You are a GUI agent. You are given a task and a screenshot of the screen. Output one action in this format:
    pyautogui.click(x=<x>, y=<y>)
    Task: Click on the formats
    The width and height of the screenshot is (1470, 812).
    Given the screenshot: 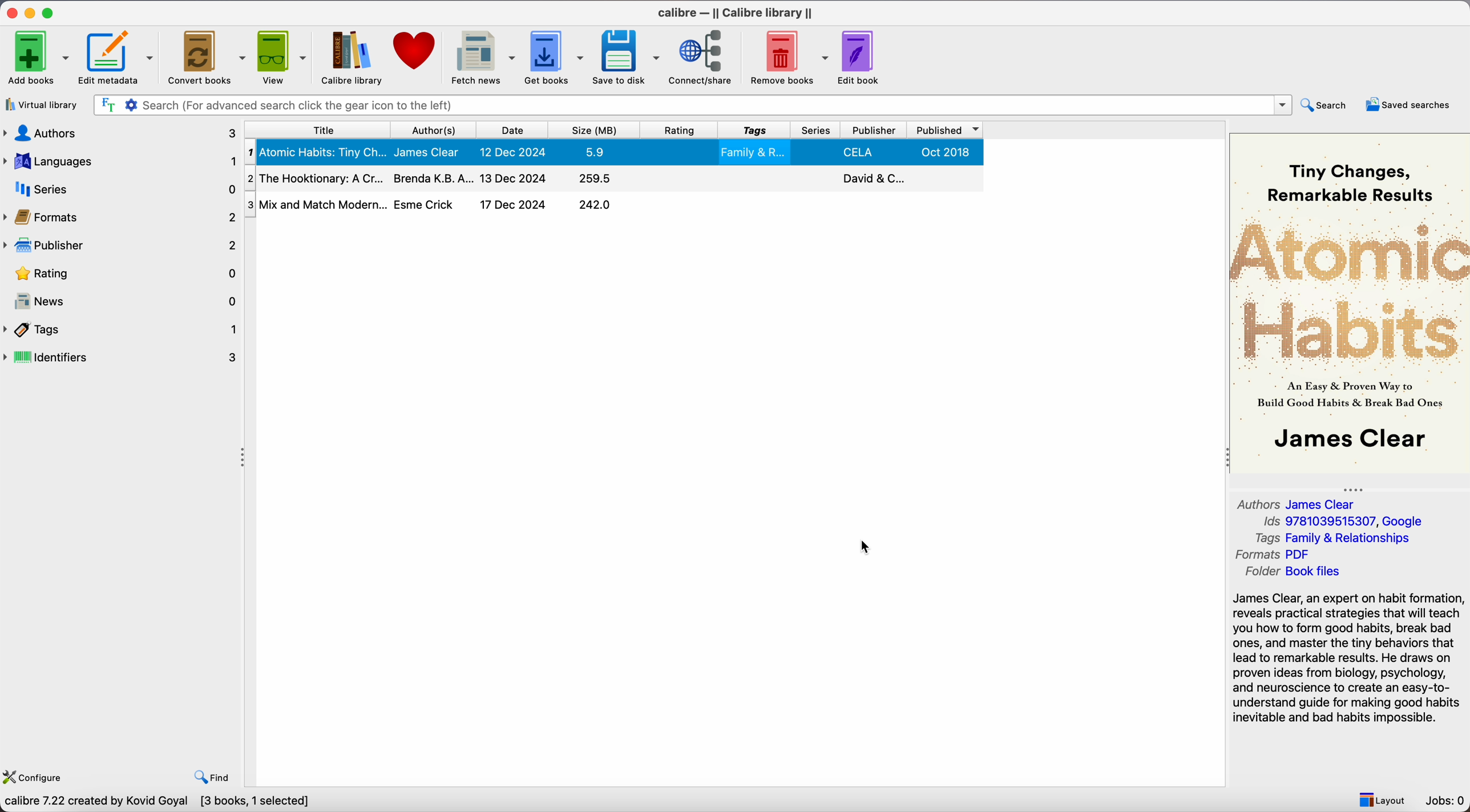 What is the action you would take?
    pyautogui.click(x=120, y=216)
    